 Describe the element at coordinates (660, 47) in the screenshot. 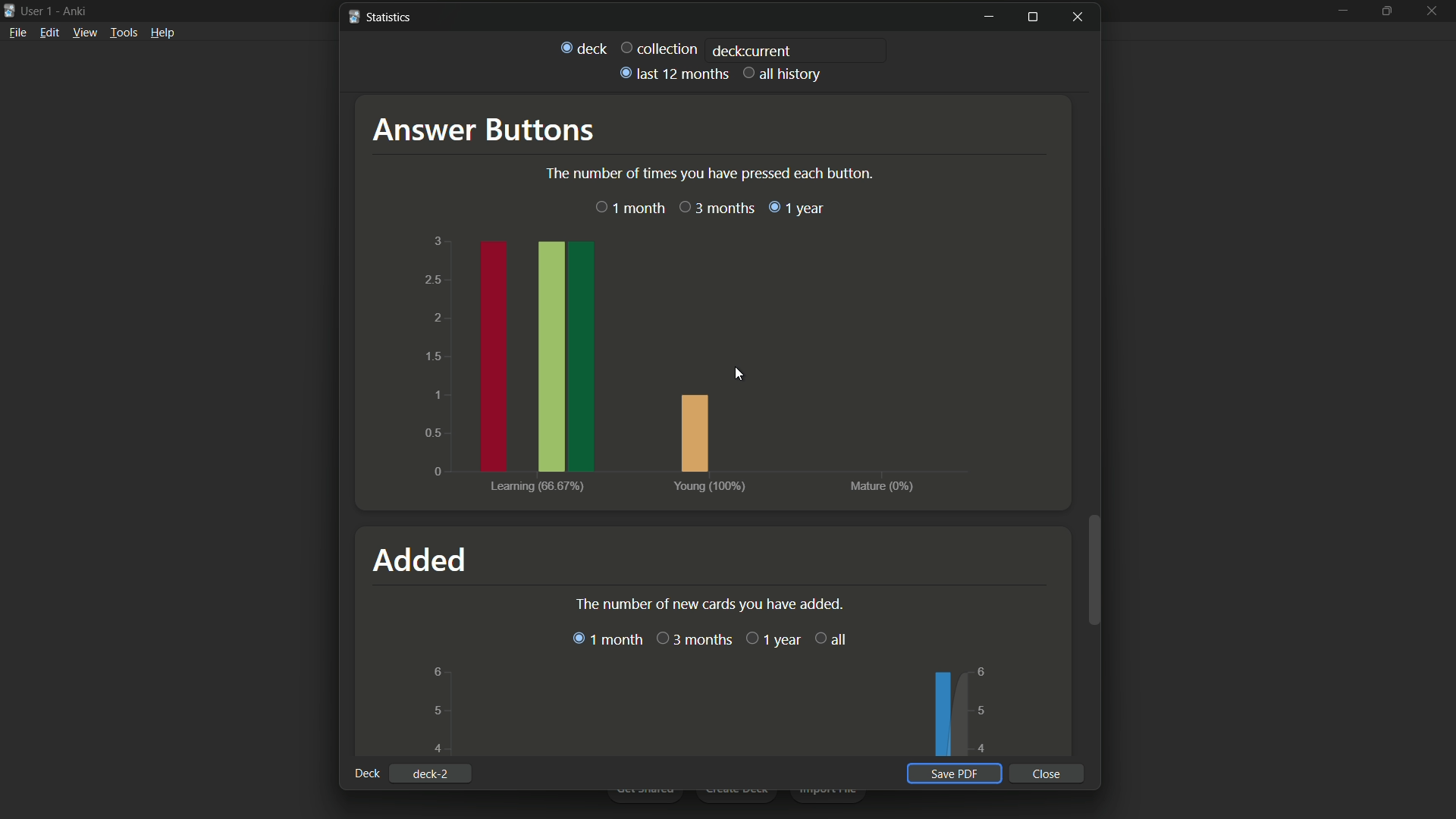

I see `Collection deck current` at that location.